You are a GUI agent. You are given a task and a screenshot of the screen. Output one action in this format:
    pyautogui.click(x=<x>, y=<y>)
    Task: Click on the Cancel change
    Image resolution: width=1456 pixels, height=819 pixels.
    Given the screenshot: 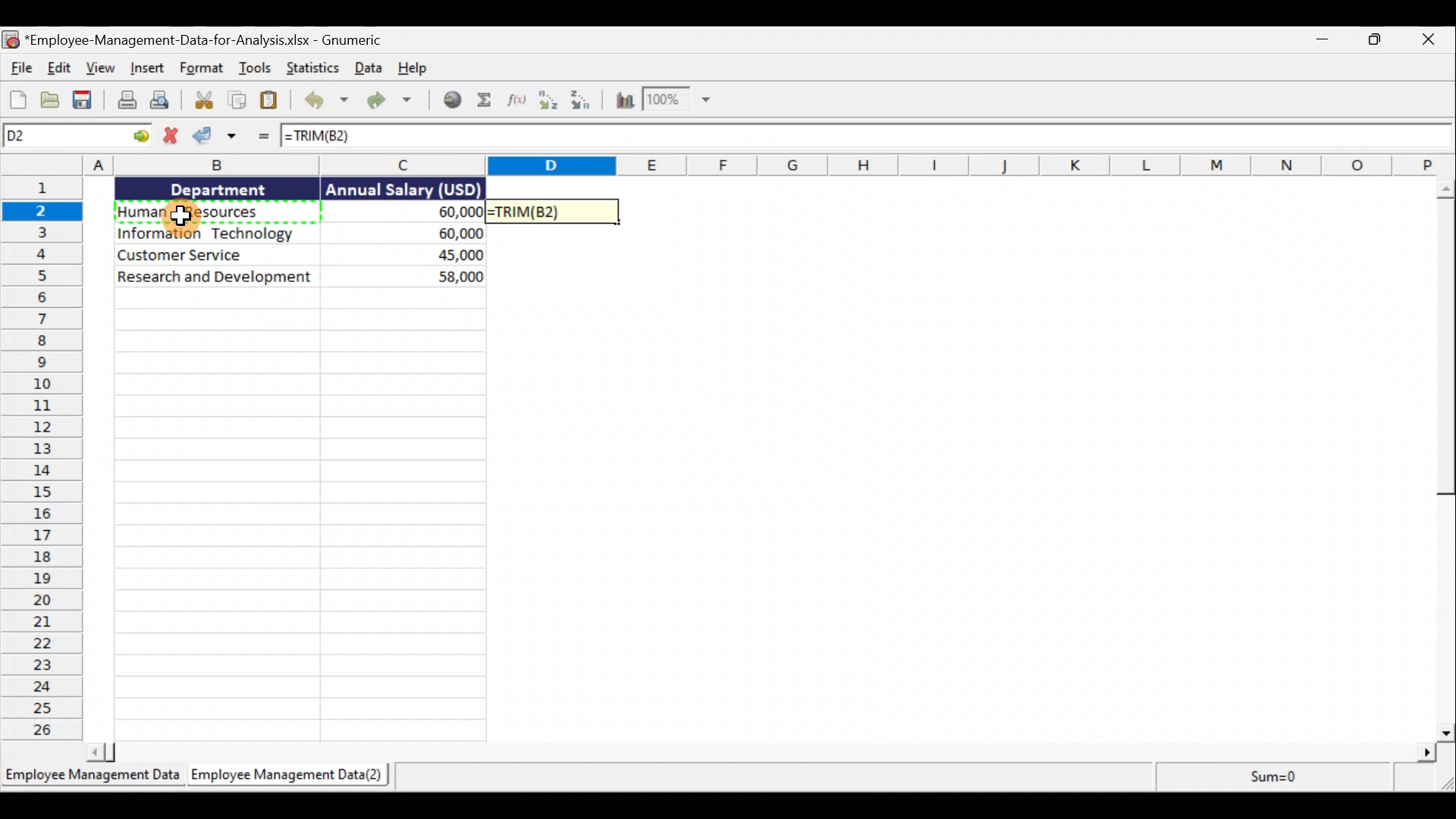 What is the action you would take?
    pyautogui.click(x=175, y=135)
    